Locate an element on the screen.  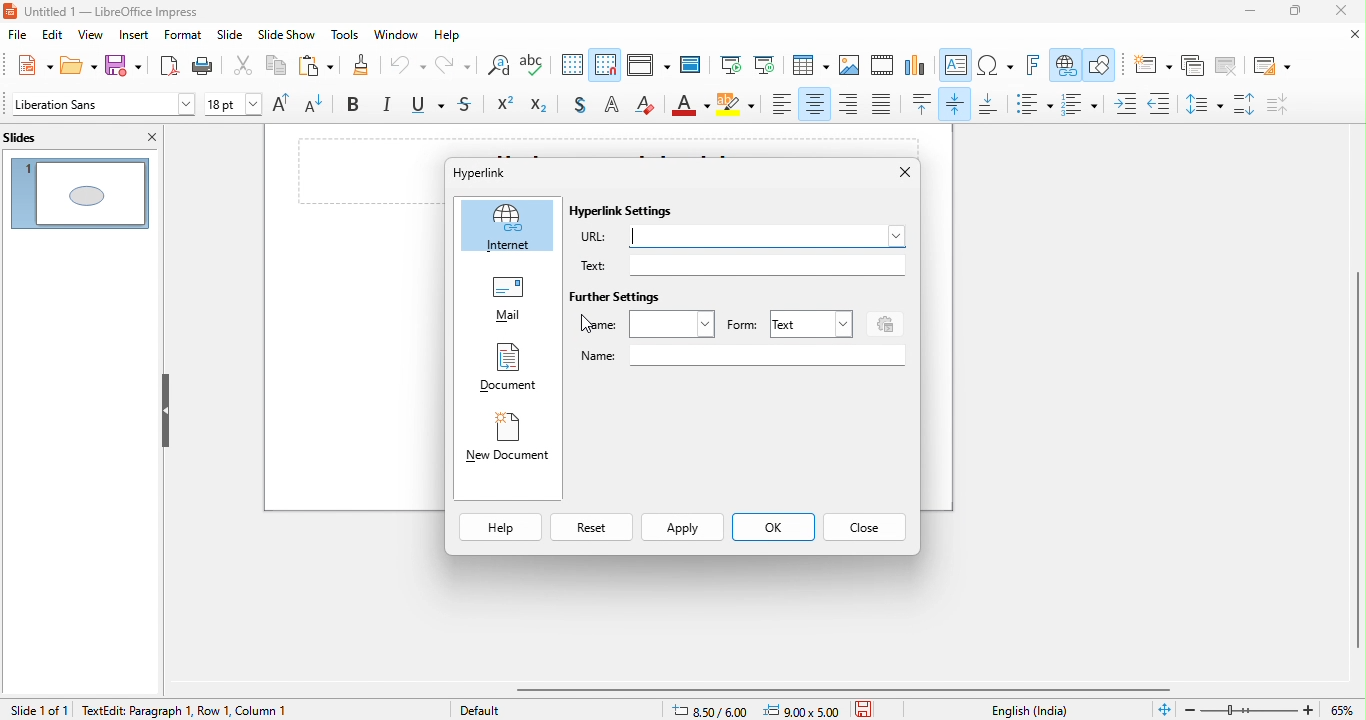
fit slide to fit window is located at coordinates (1164, 710).